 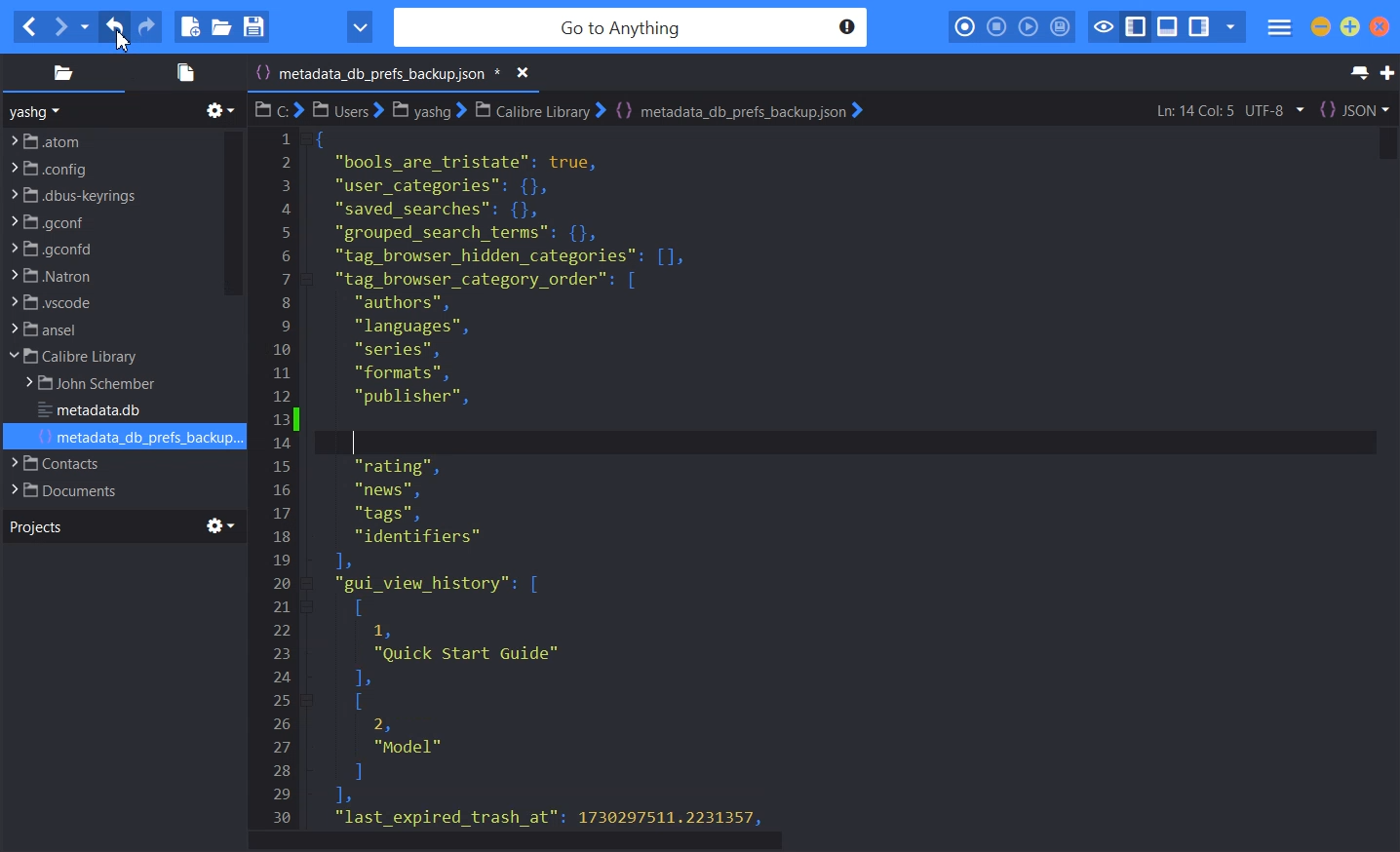 What do you see at coordinates (99, 384) in the screenshot?
I see `File` at bounding box center [99, 384].